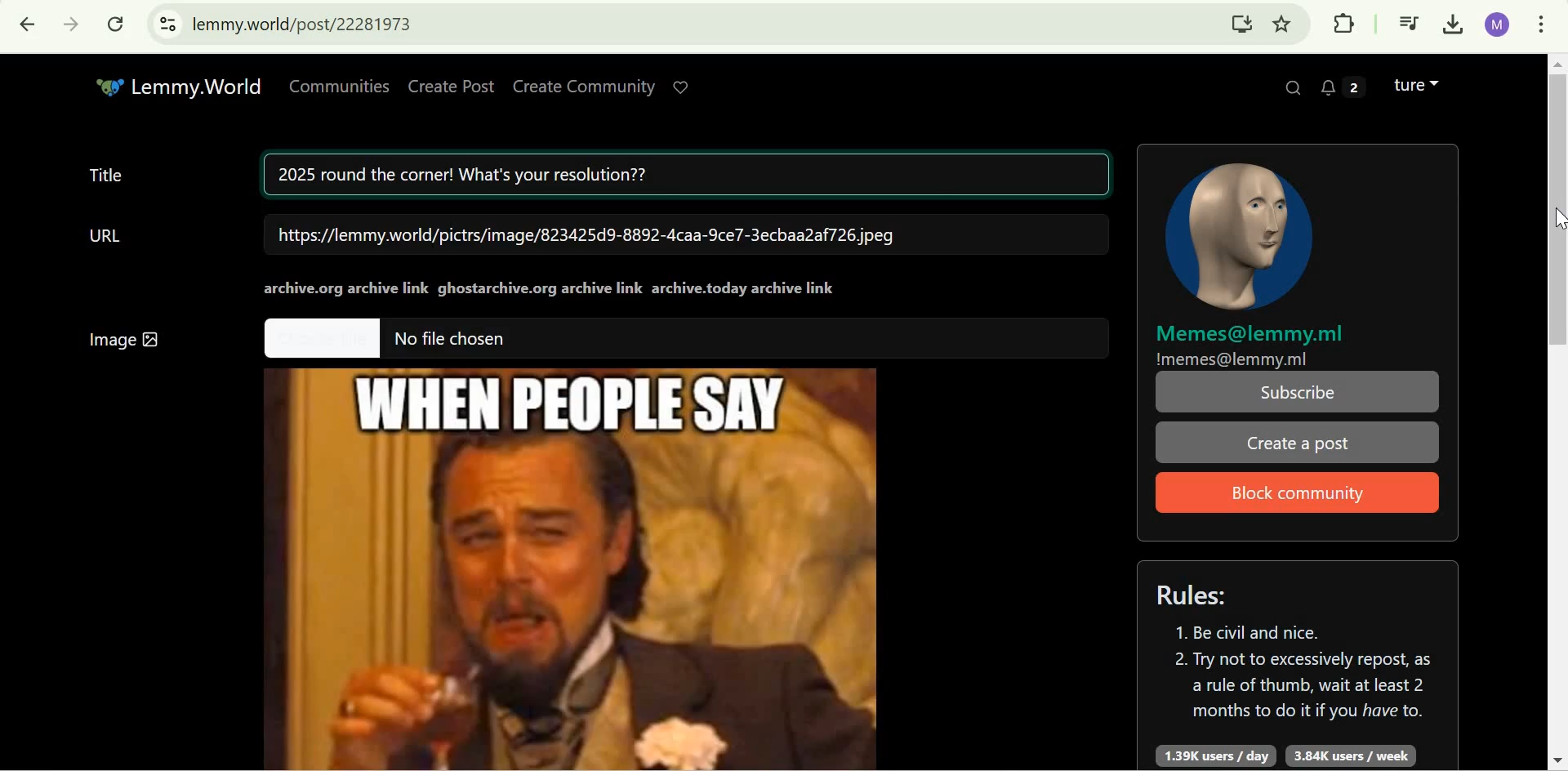 Image resolution: width=1568 pixels, height=771 pixels. I want to click on Extensions, so click(1343, 23).